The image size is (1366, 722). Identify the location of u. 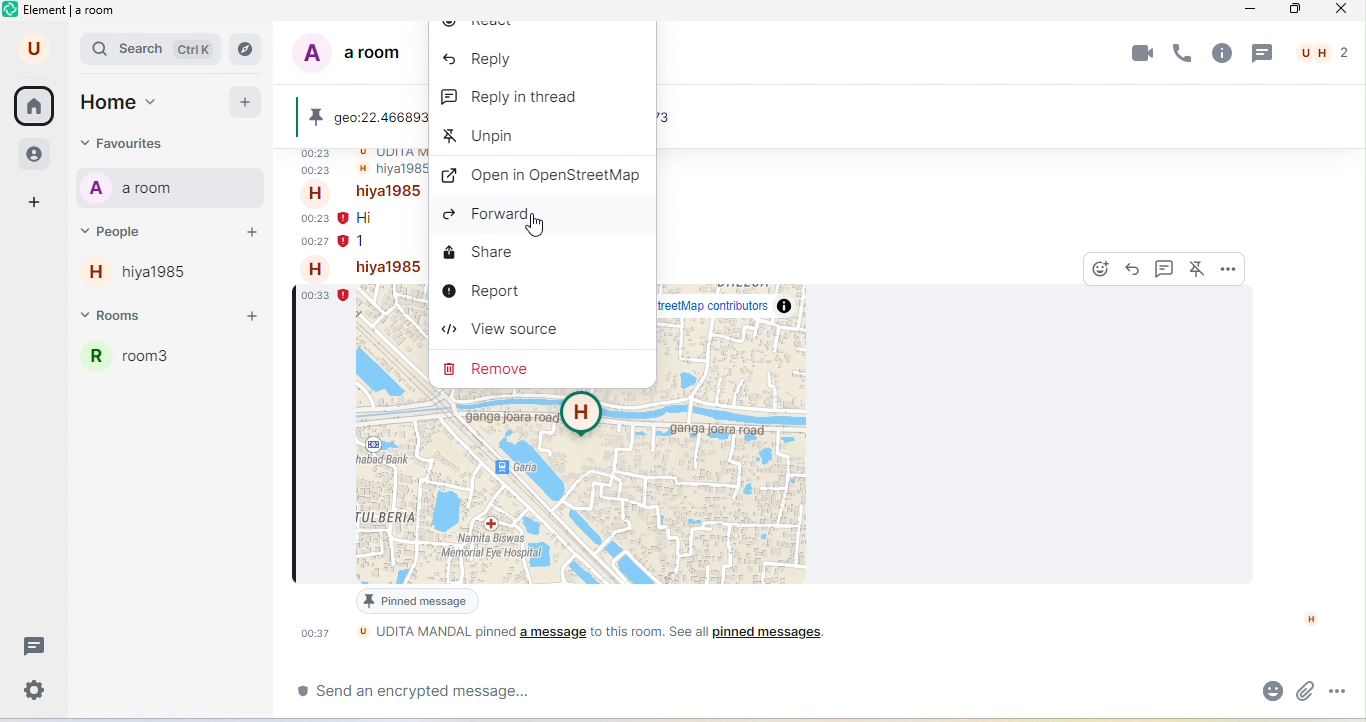
(29, 50).